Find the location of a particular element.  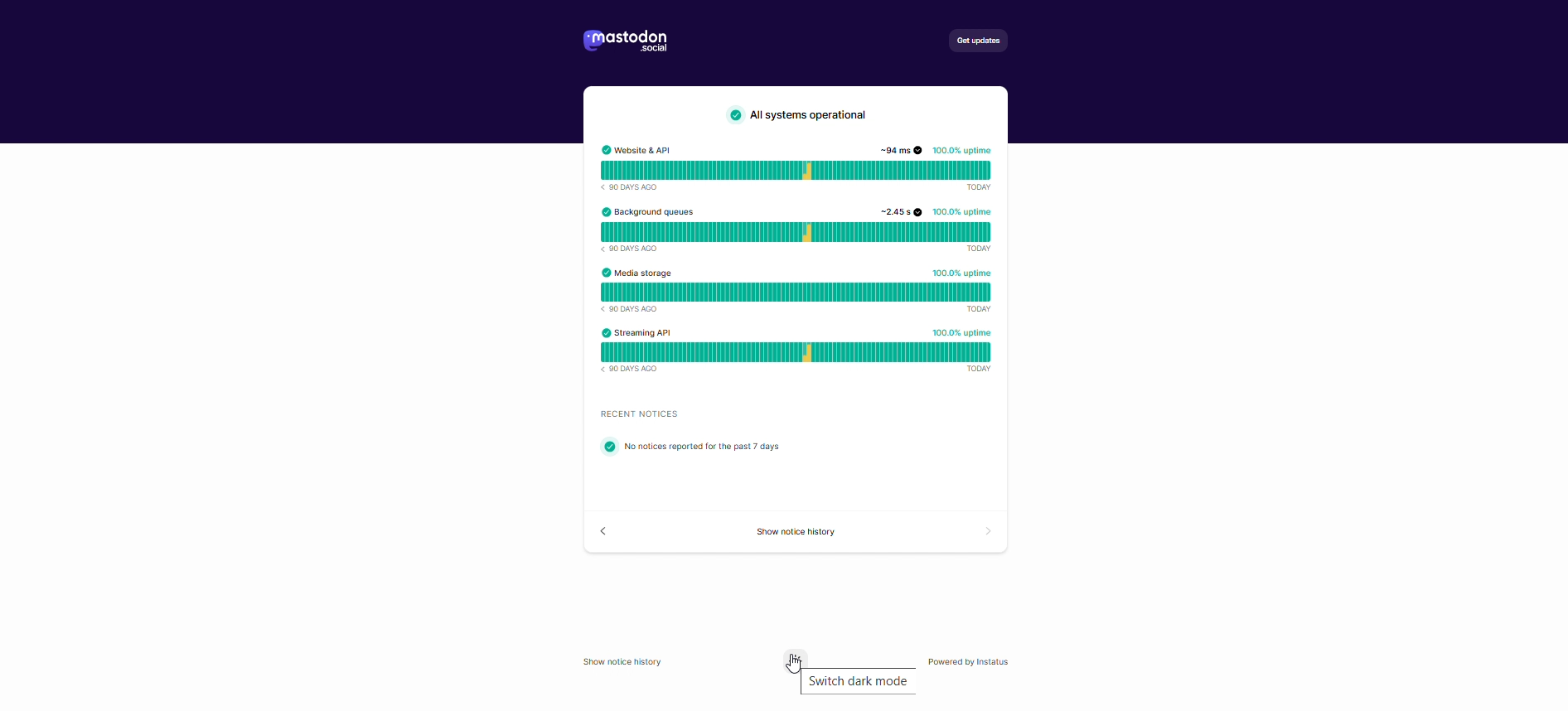

back is located at coordinates (607, 533).